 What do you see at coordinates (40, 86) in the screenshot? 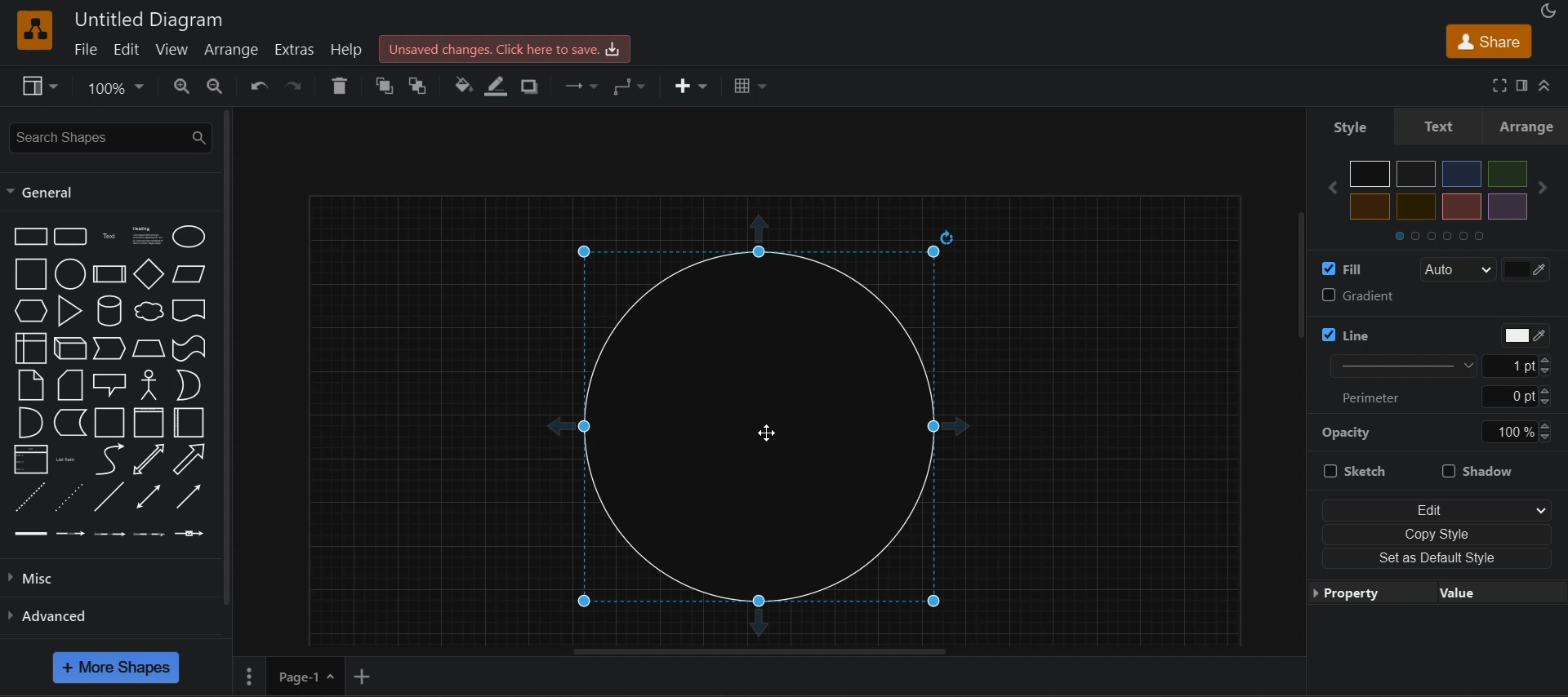
I see `view` at bounding box center [40, 86].